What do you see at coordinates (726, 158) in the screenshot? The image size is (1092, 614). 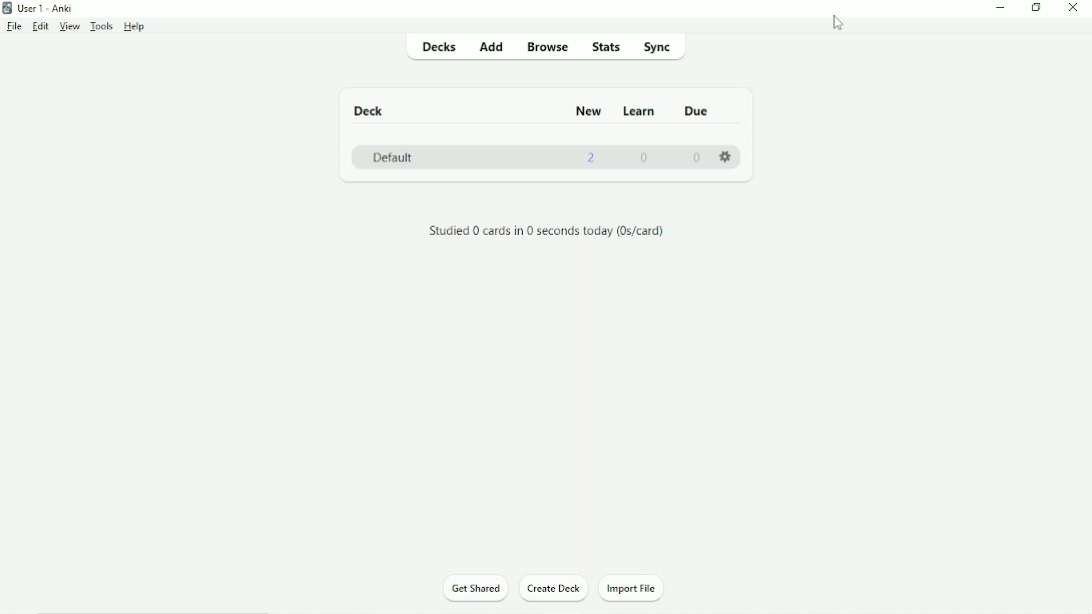 I see `Settings` at bounding box center [726, 158].